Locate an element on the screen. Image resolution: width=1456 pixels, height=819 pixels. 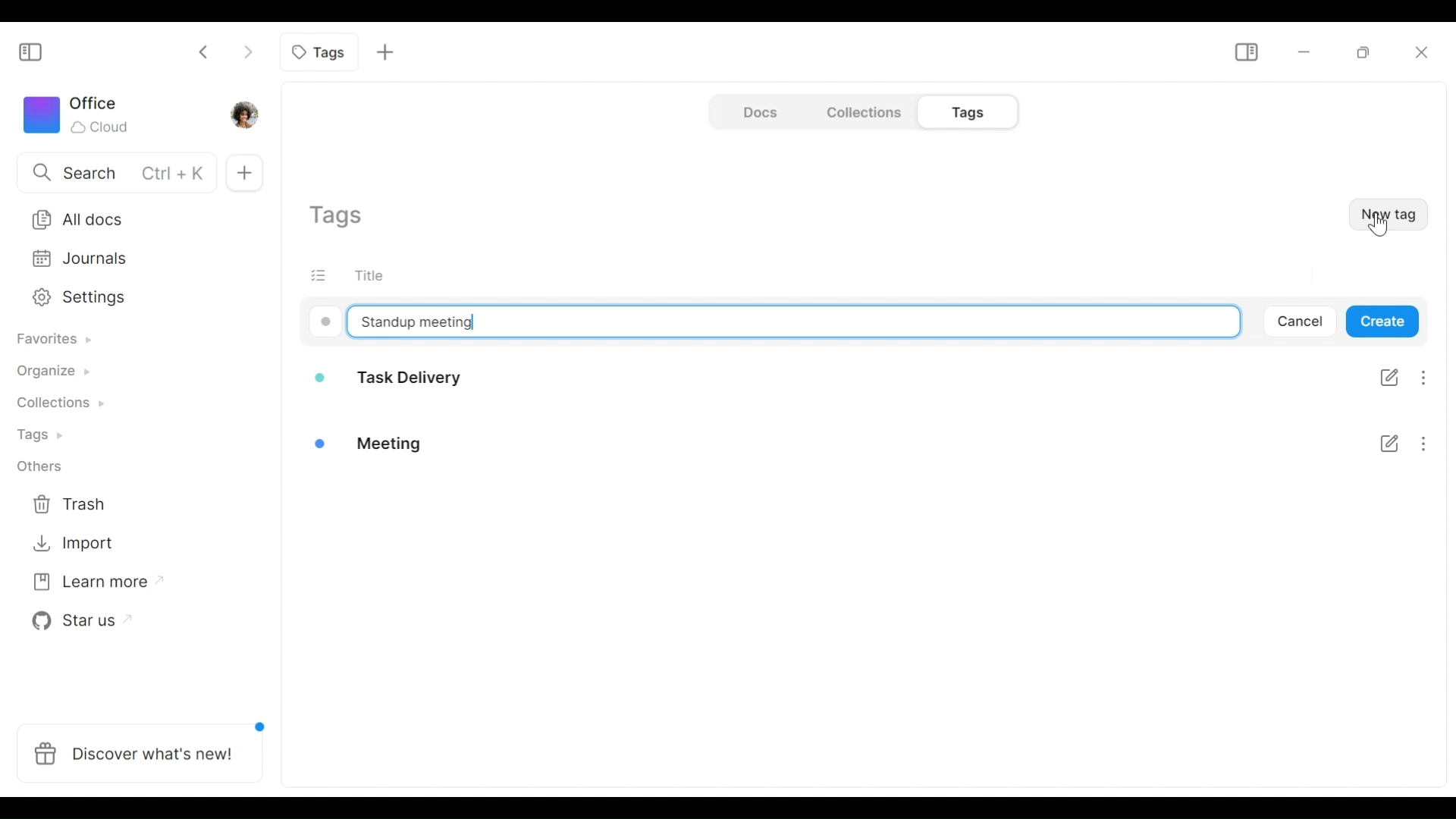
cursor is located at coordinates (1379, 231).